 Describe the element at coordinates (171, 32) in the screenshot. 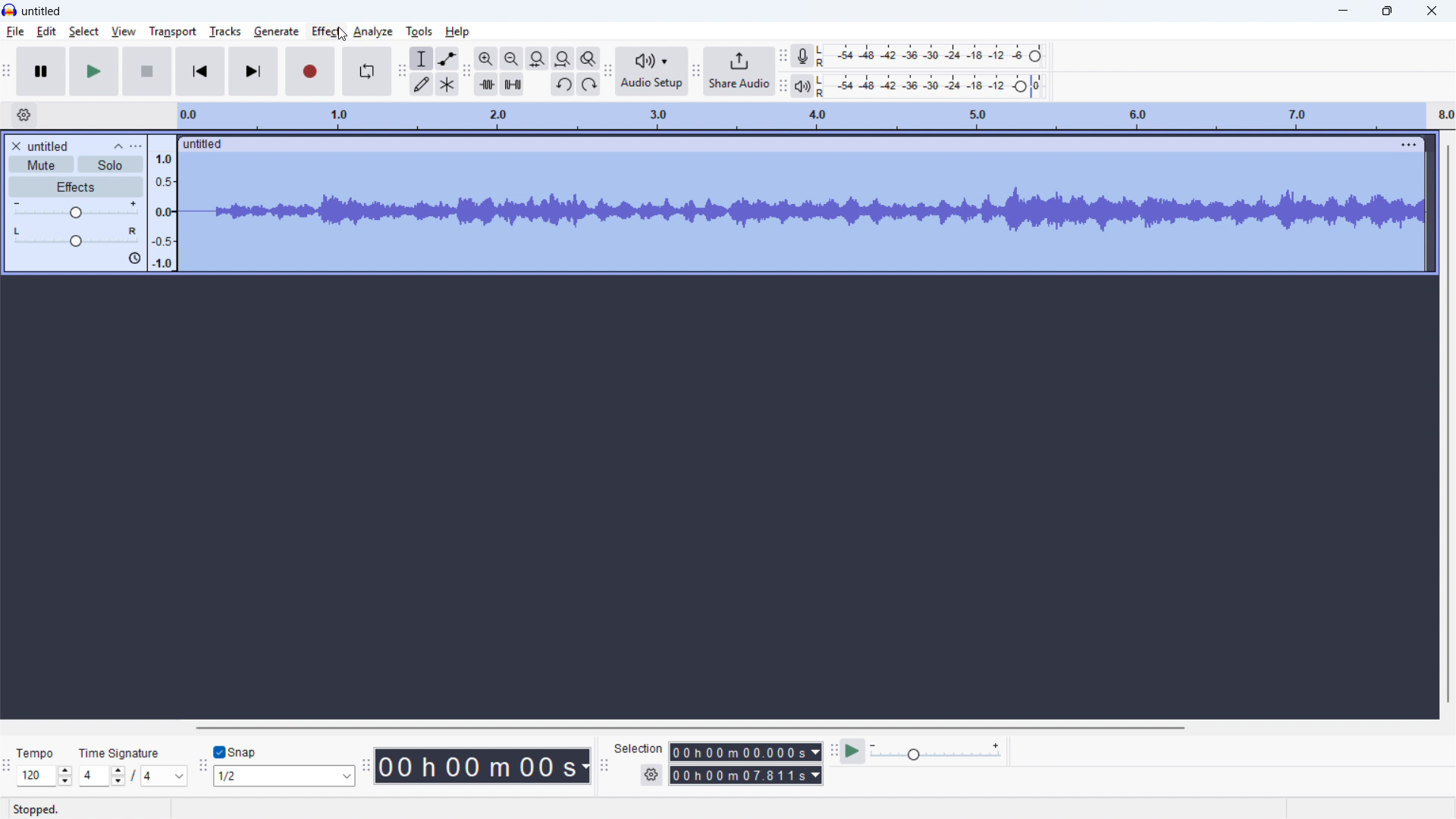

I see `transport` at that location.